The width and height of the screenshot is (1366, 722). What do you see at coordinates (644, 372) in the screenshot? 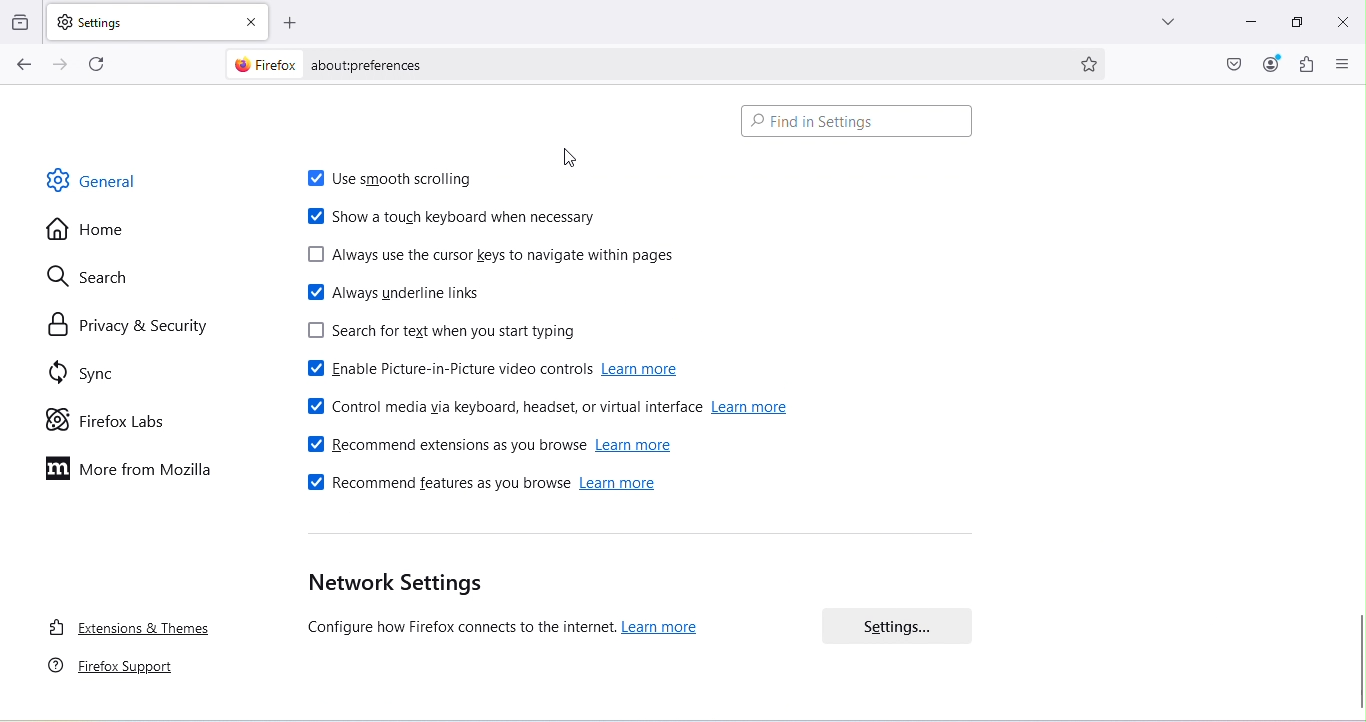
I see `learn more` at bounding box center [644, 372].